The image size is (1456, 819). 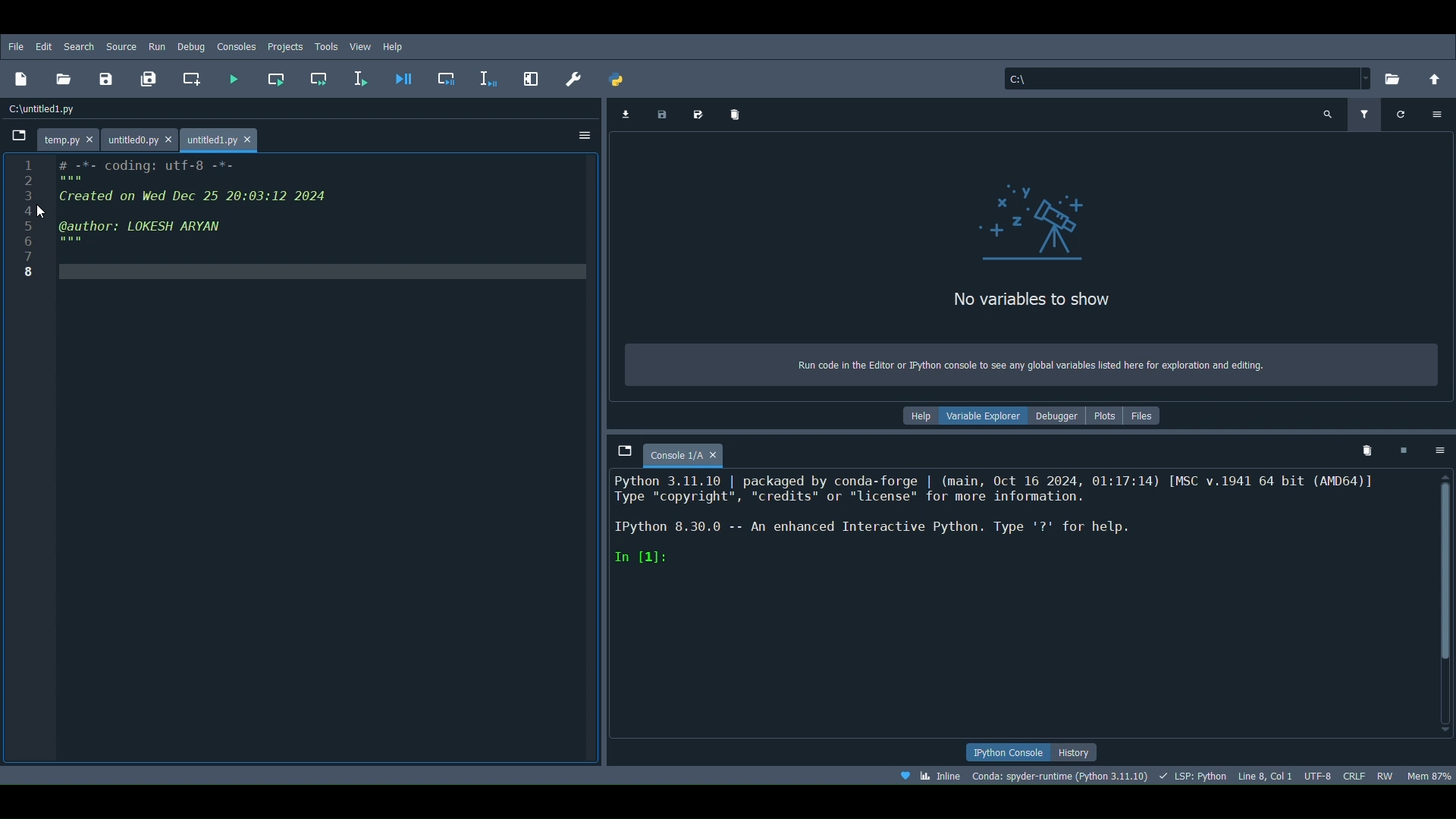 I want to click on Plots, so click(x=1106, y=416).